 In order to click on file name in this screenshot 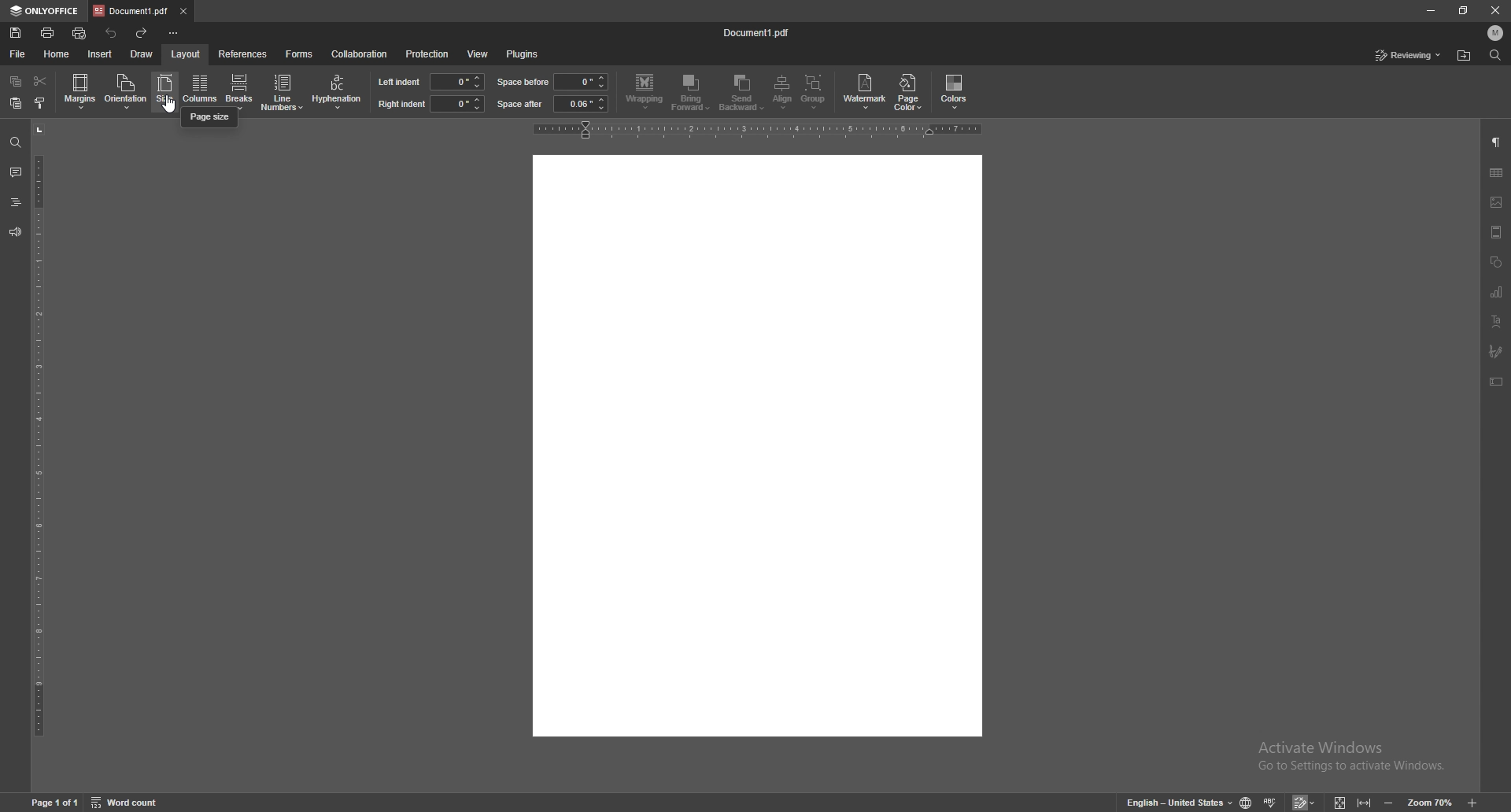, I will do `click(759, 31)`.